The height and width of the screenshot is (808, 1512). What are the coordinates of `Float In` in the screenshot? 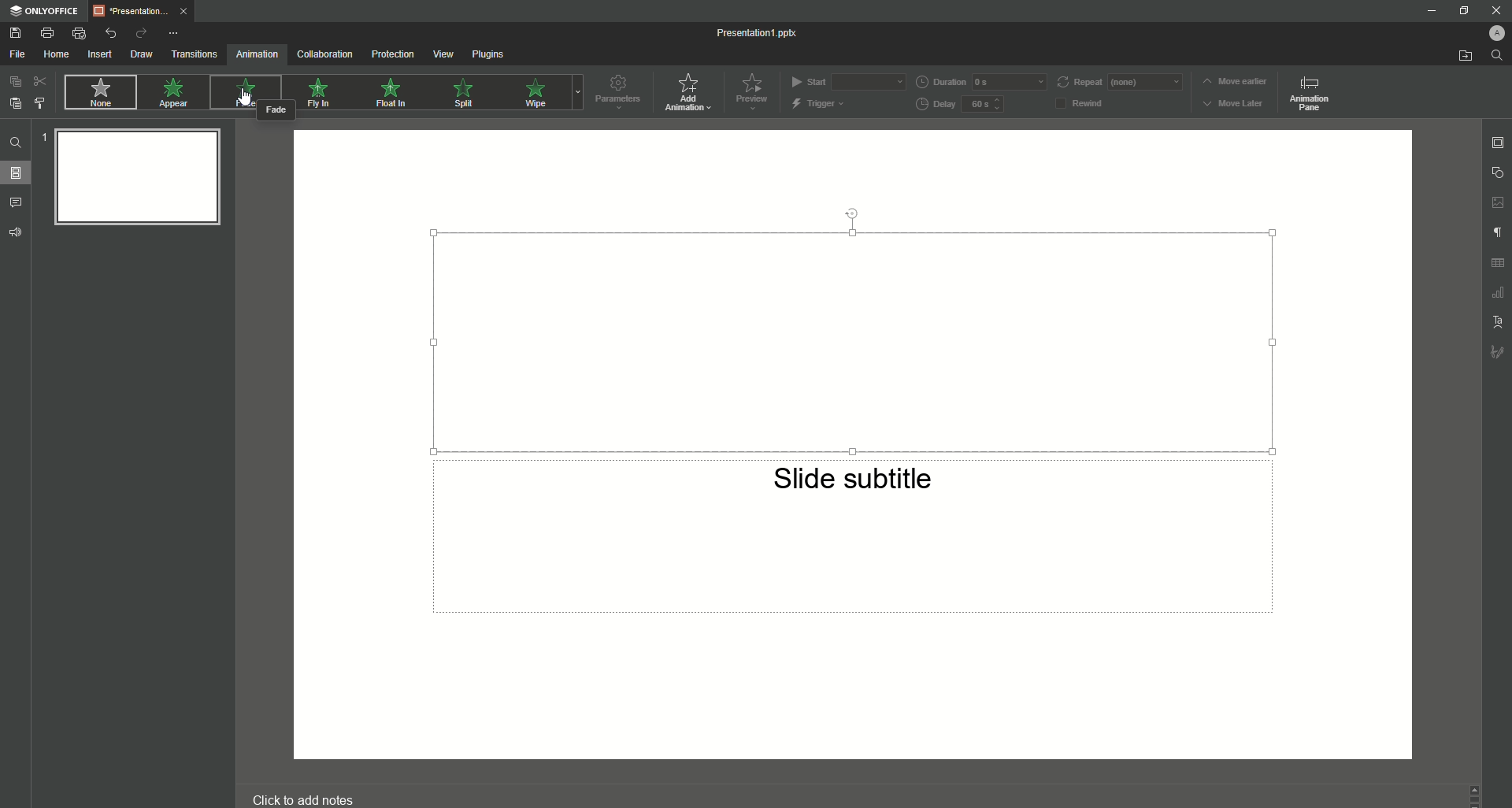 It's located at (393, 93).